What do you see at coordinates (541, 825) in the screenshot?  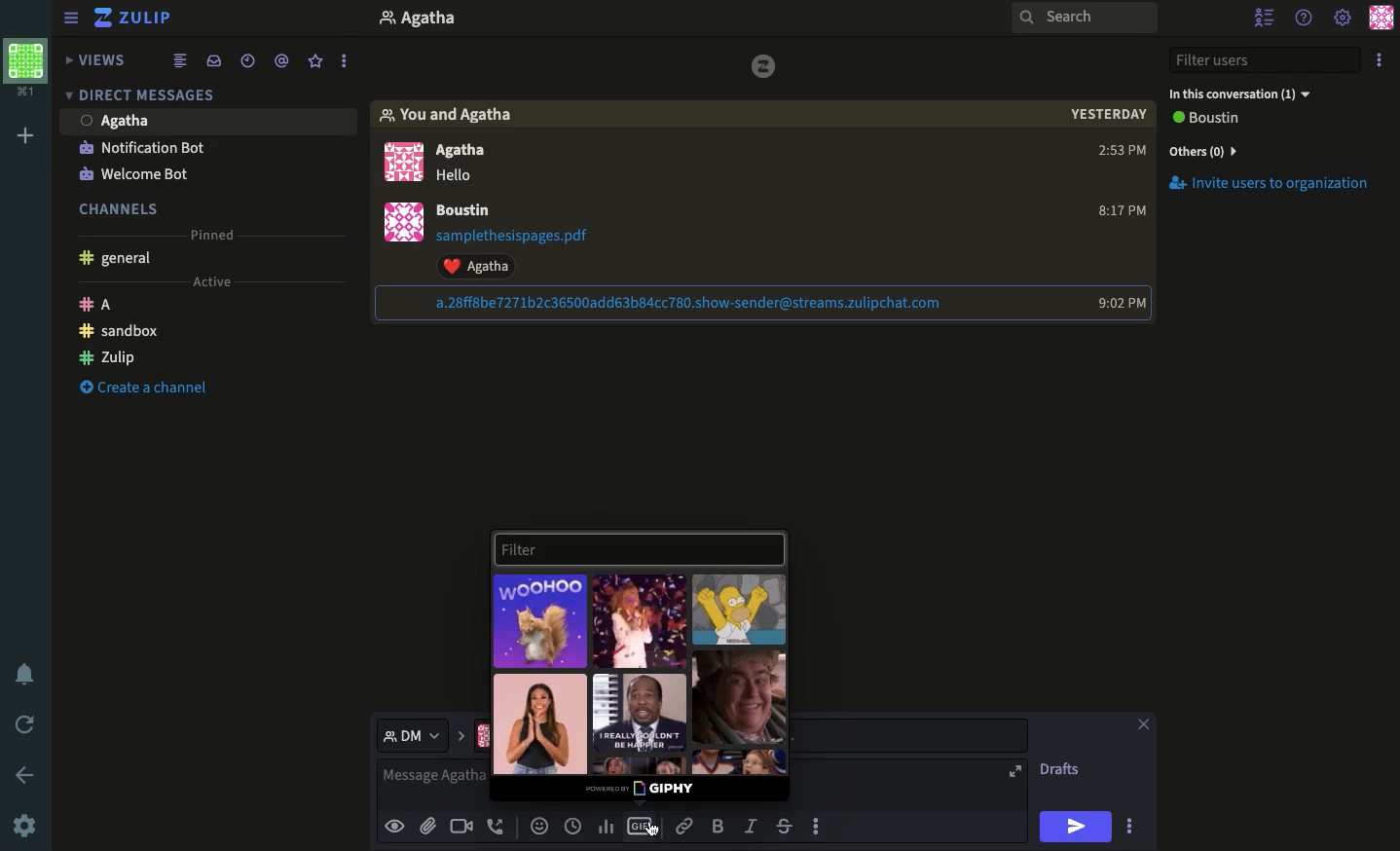 I see `Add reaction` at bounding box center [541, 825].